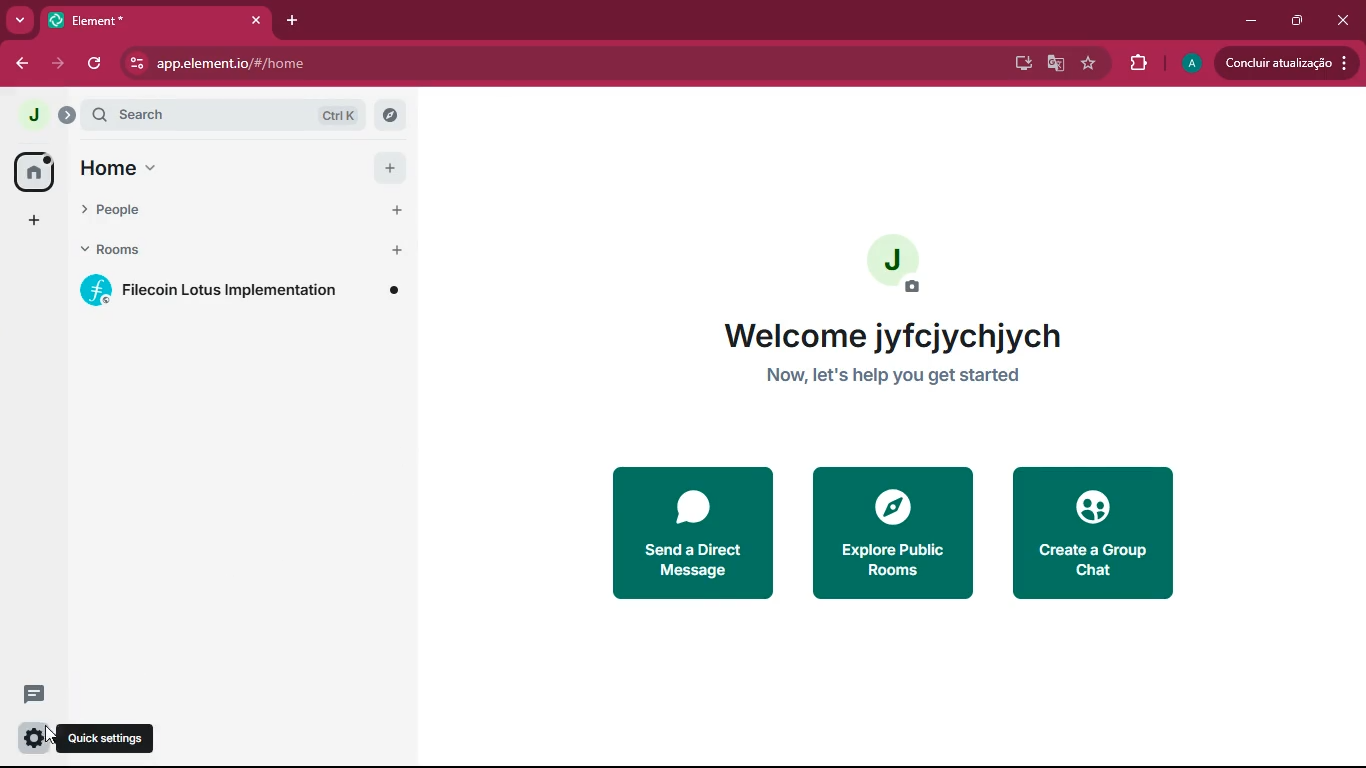 Image resolution: width=1366 pixels, height=768 pixels. What do you see at coordinates (1095, 530) in the screenshot?
I see `create a group chat` at bounding box center [1095, 530].